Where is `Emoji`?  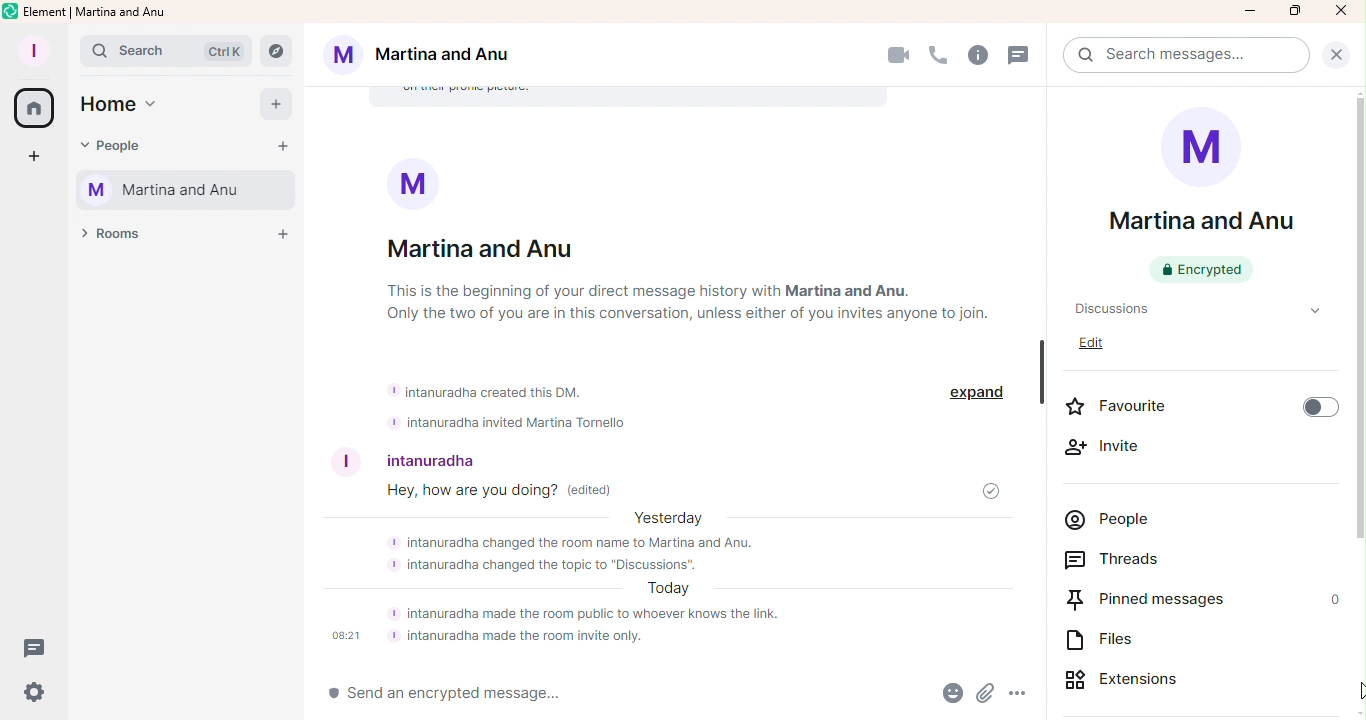 Emoji is located at coordinates (945, 695).